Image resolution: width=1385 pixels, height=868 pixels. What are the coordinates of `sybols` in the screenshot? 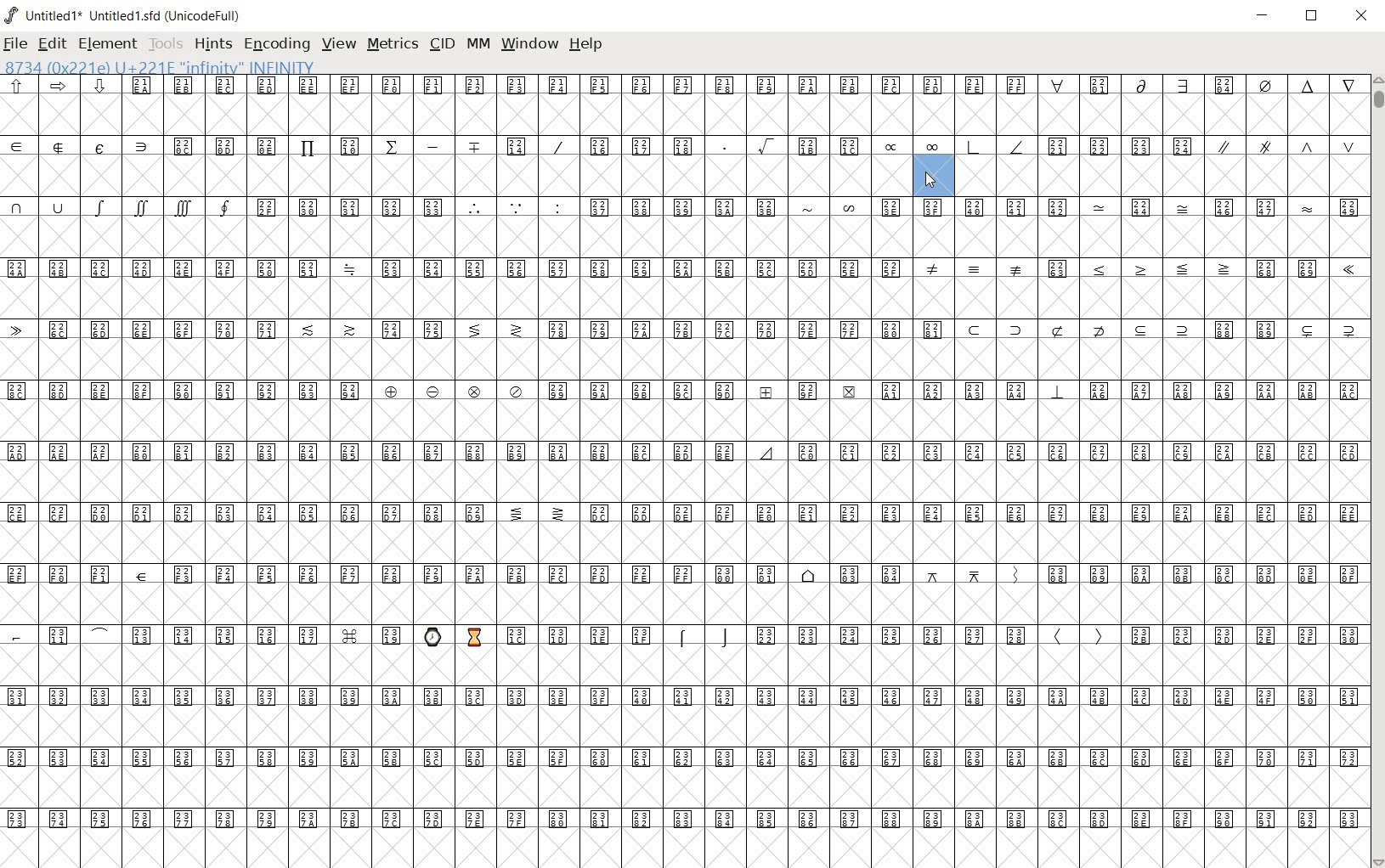 It's located at (65, 85).